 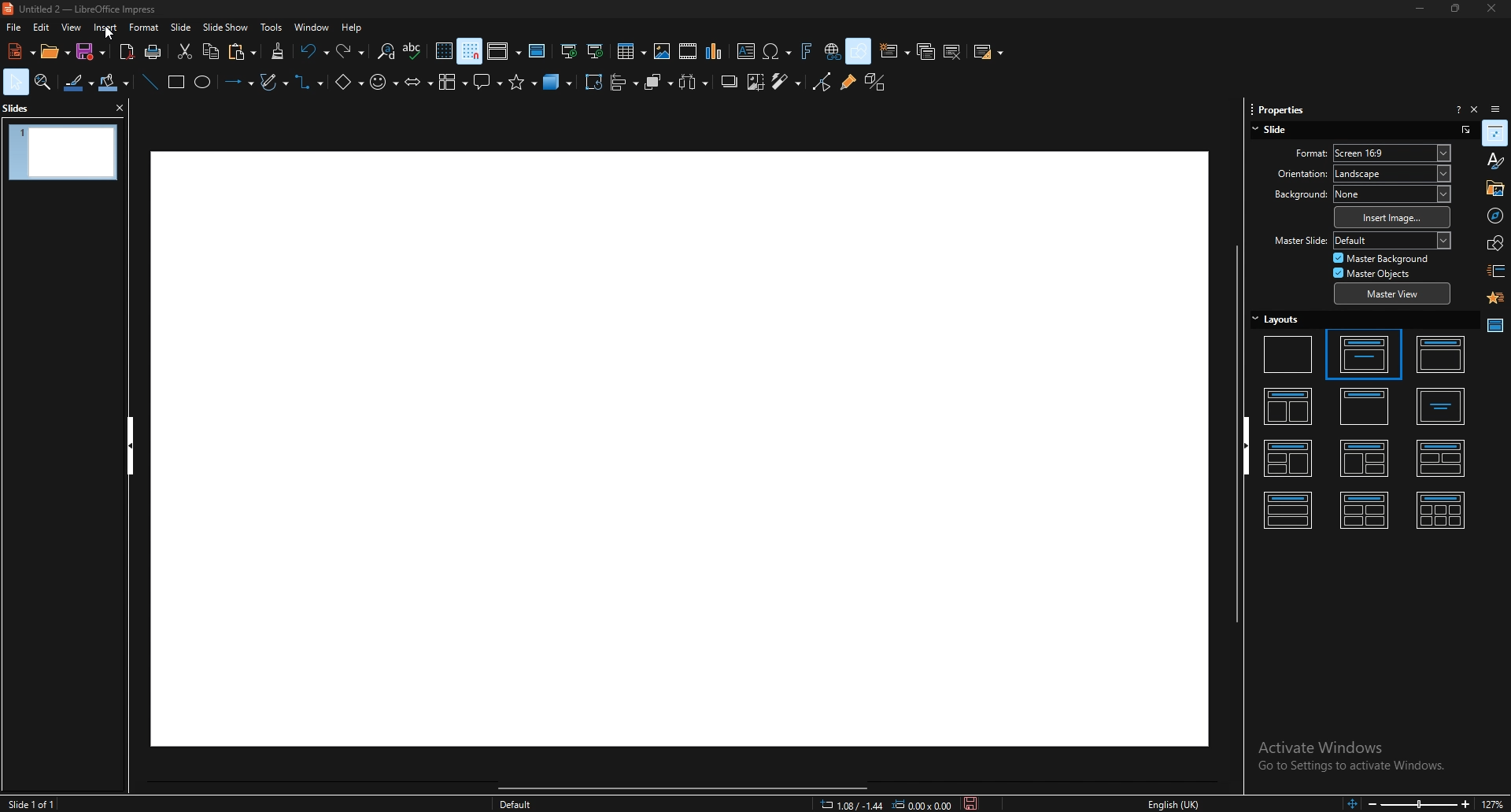 What do you see at coordinates (1494, 243) in the screenshot?
I see `shapes` at bounding box center [1494, 243].